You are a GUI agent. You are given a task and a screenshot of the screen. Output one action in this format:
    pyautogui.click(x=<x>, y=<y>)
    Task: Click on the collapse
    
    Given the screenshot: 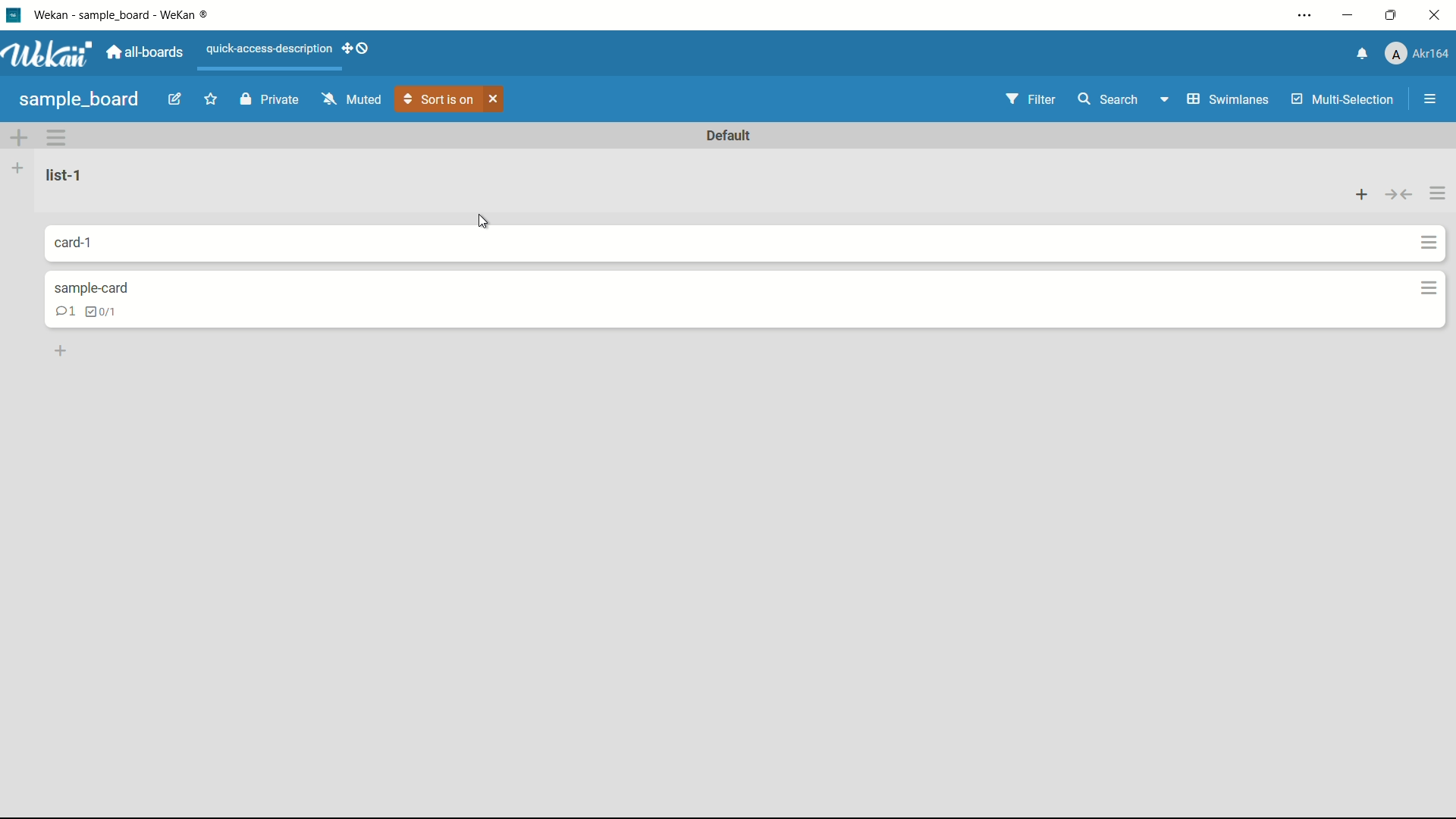 What is the action you would take?
    pyautogui.click(x=1398, y=196)
    